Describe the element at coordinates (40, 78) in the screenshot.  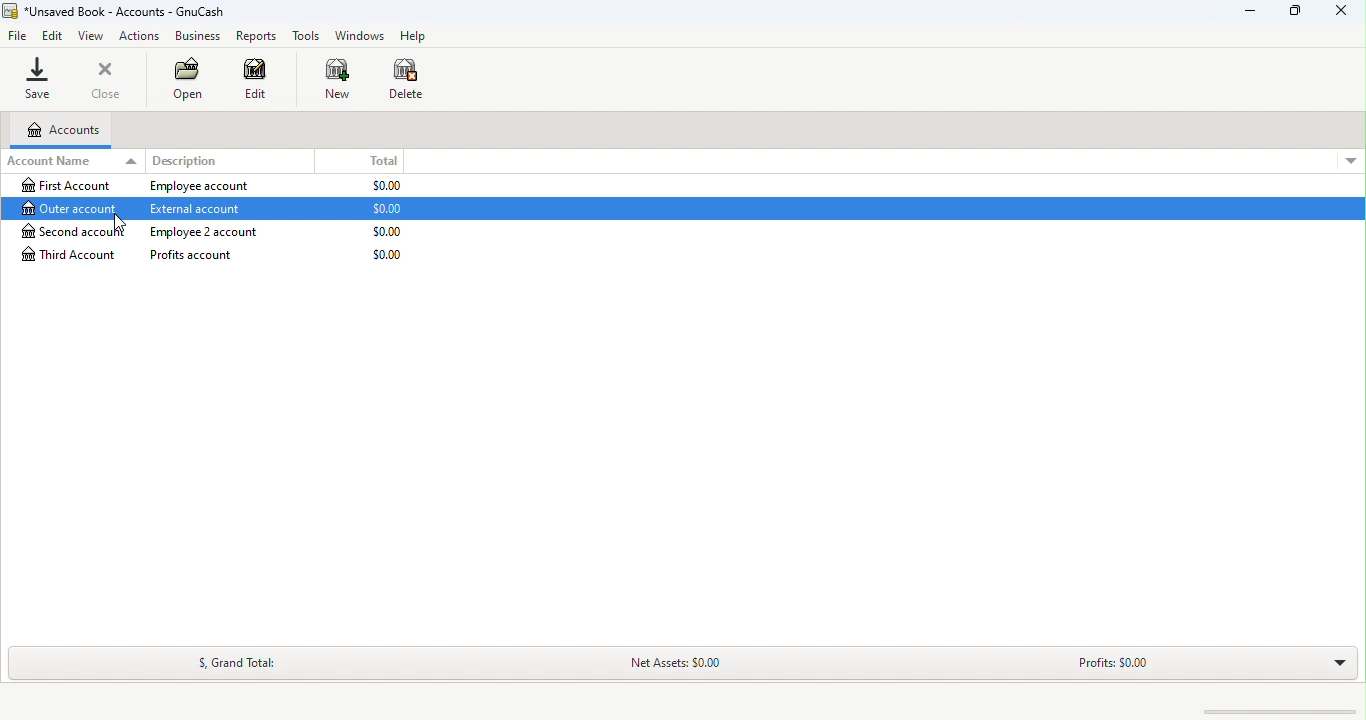
I see `Save` at that location.